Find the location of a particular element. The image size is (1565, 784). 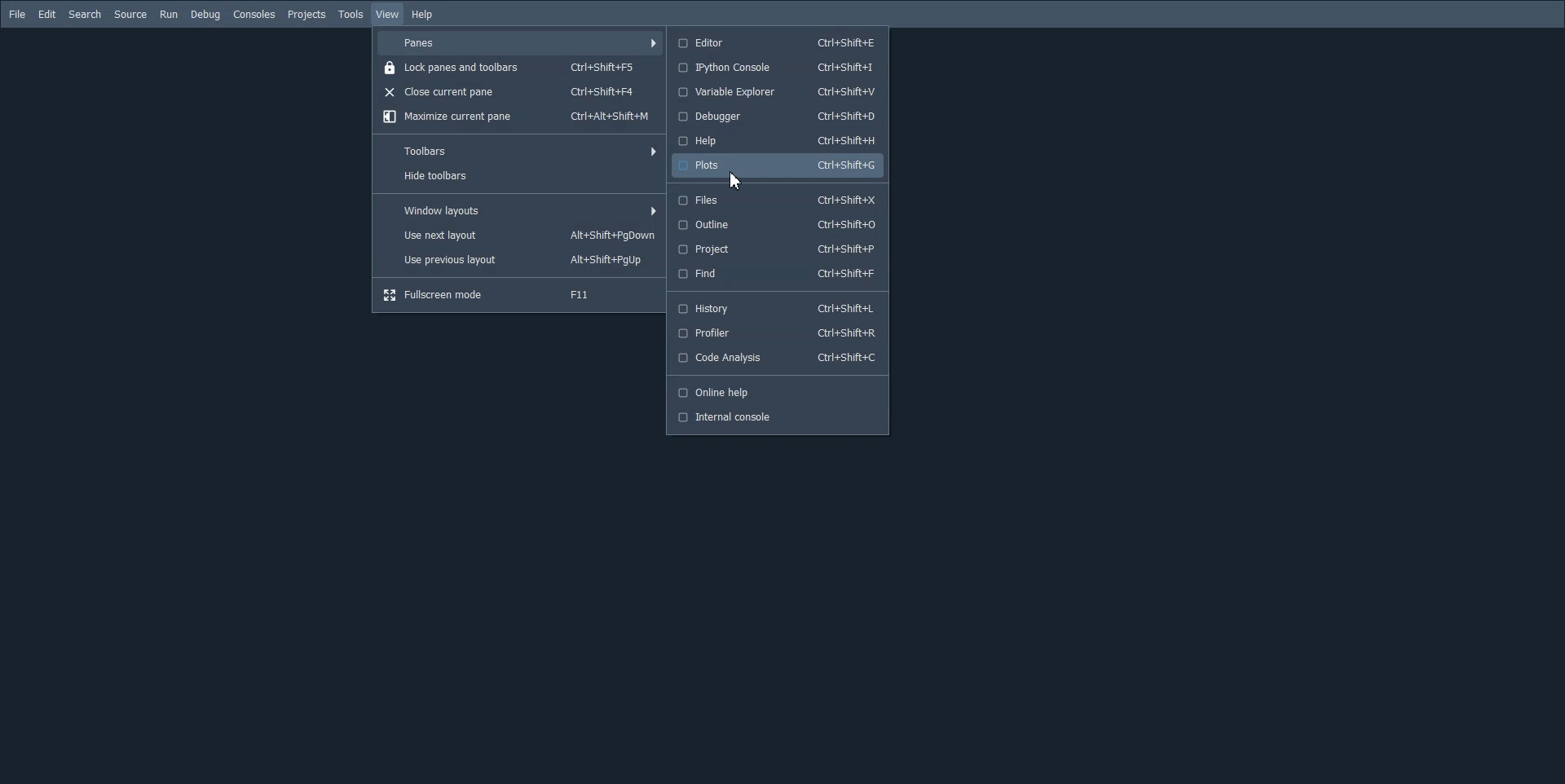

View is located at coordinates (388, 15).